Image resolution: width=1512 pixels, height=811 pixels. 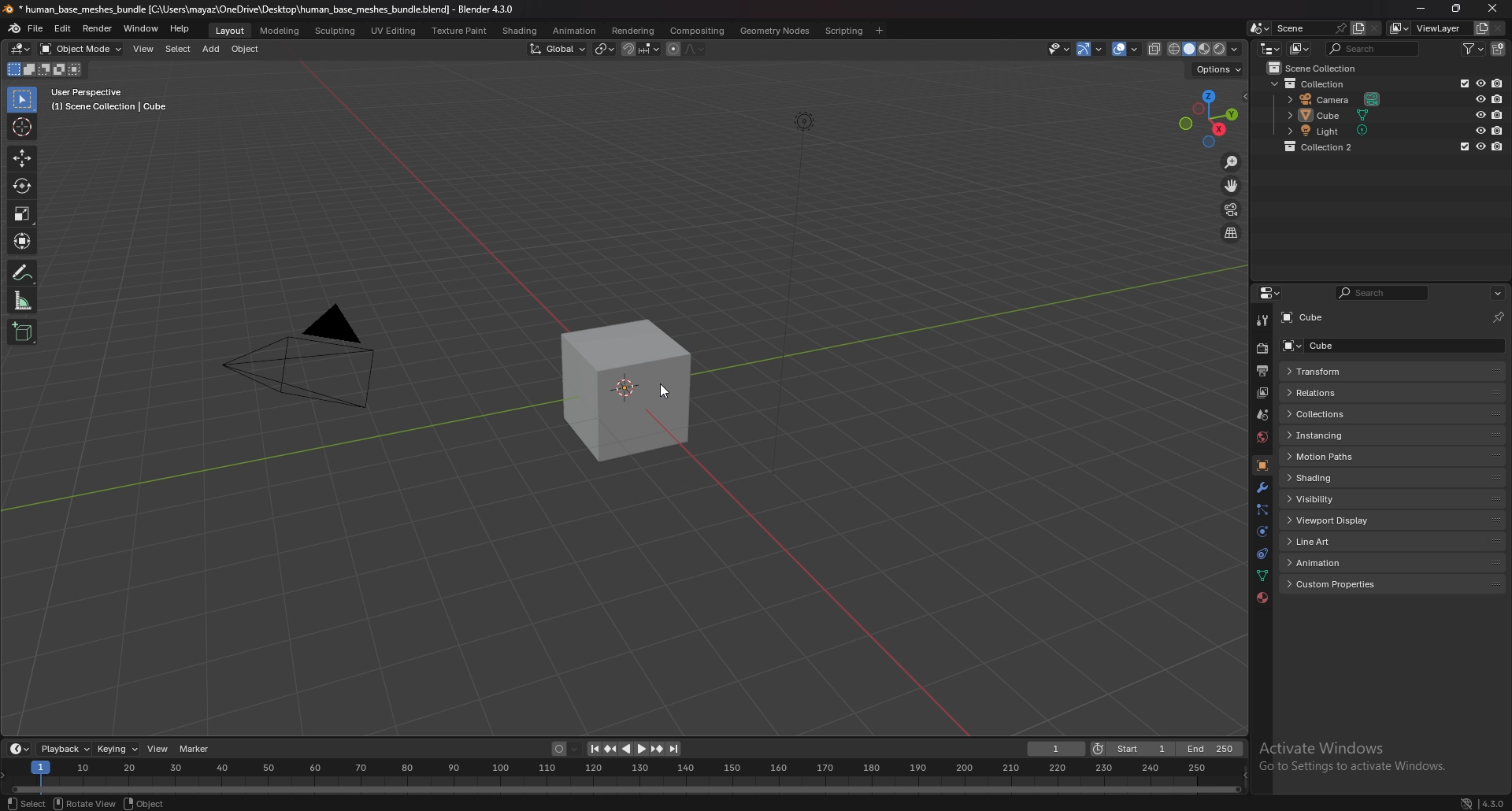 What do you see at coordinates (1209, 117) in the screenshot?
I see `use a preset viewport` at bounding box center [1209, 117].